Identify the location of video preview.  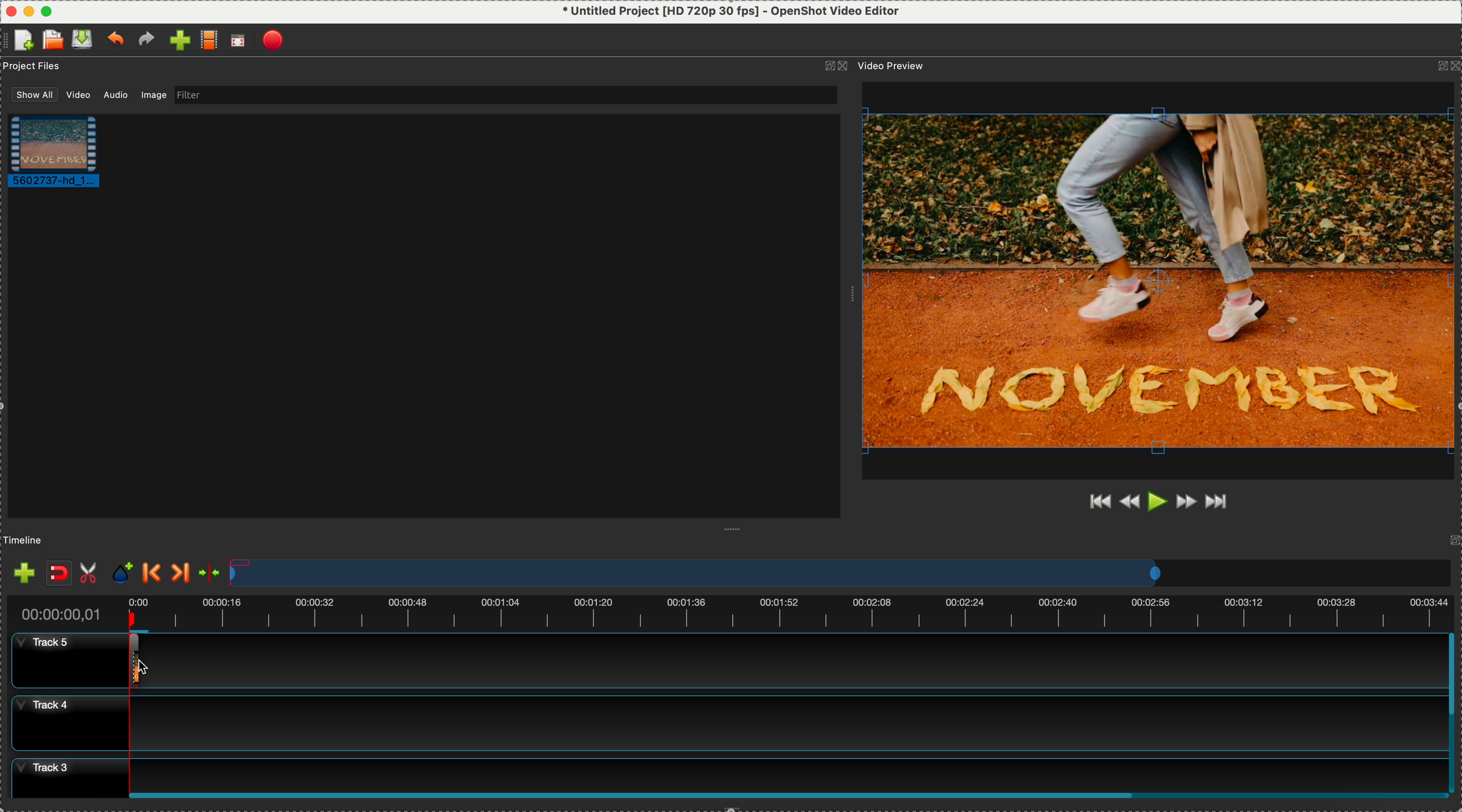
(899, 66).